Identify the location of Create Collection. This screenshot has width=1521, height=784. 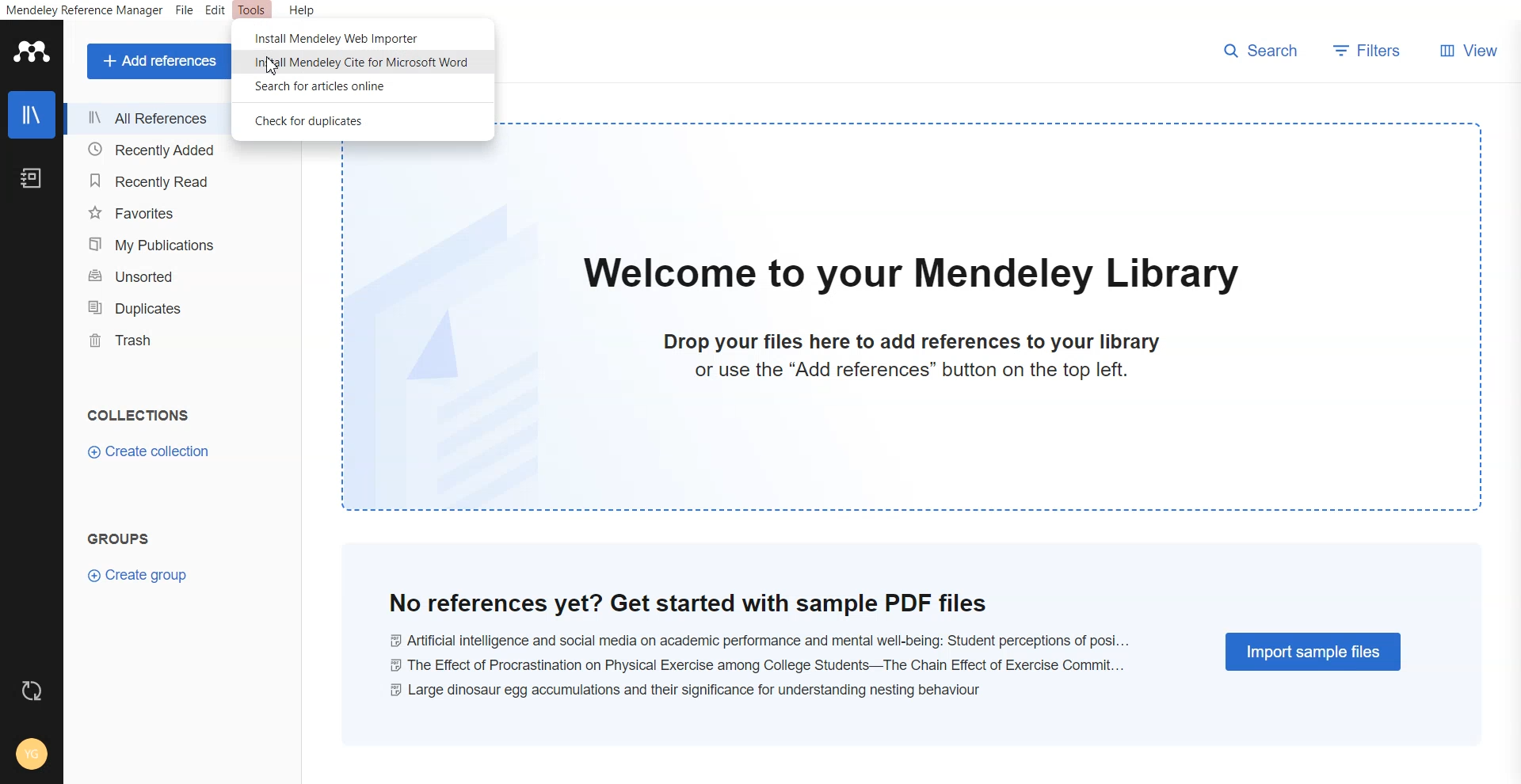
(151, 454).